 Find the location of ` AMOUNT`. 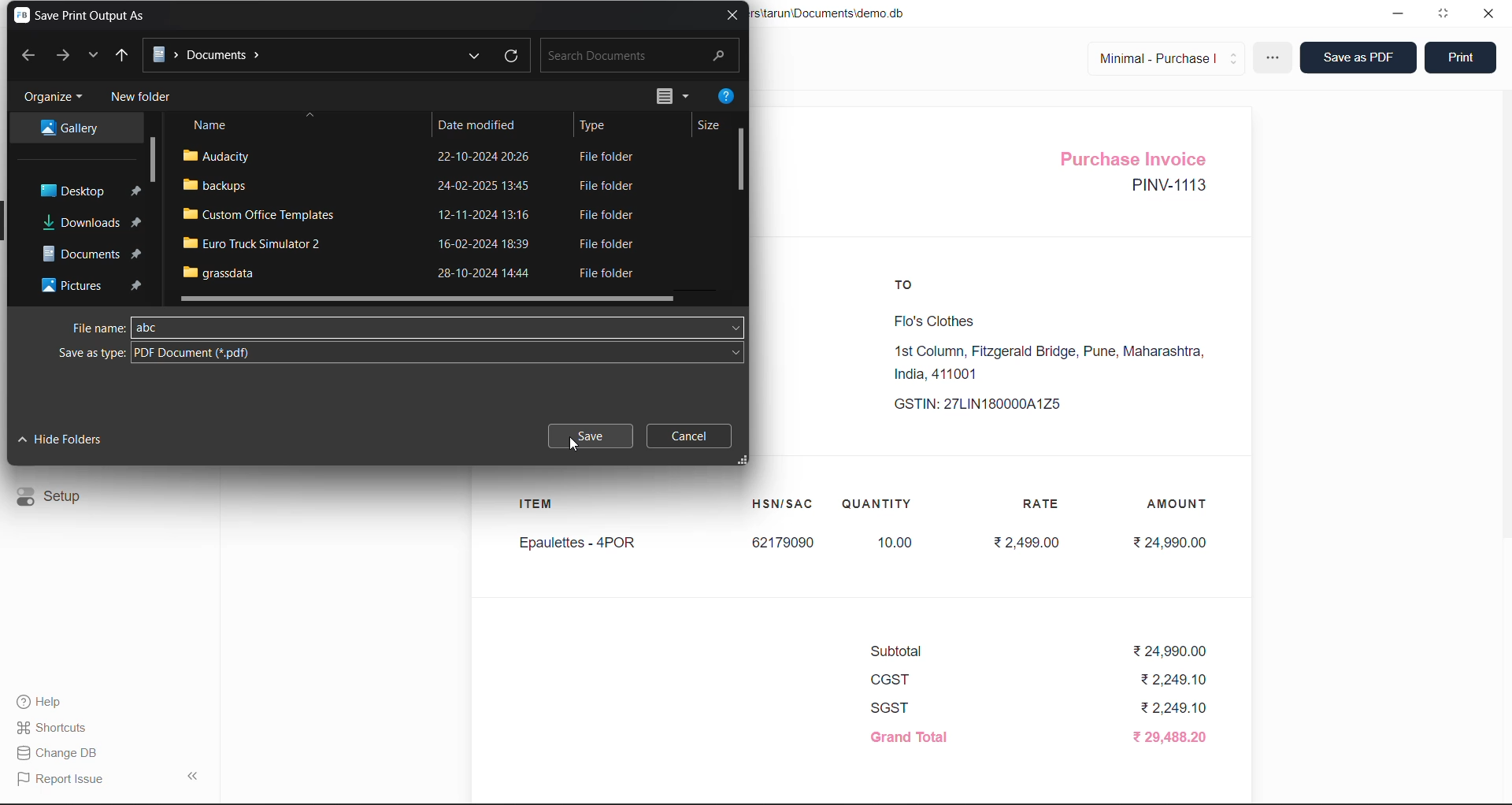

 AMOUNT is located at coordinates (1179, 502).